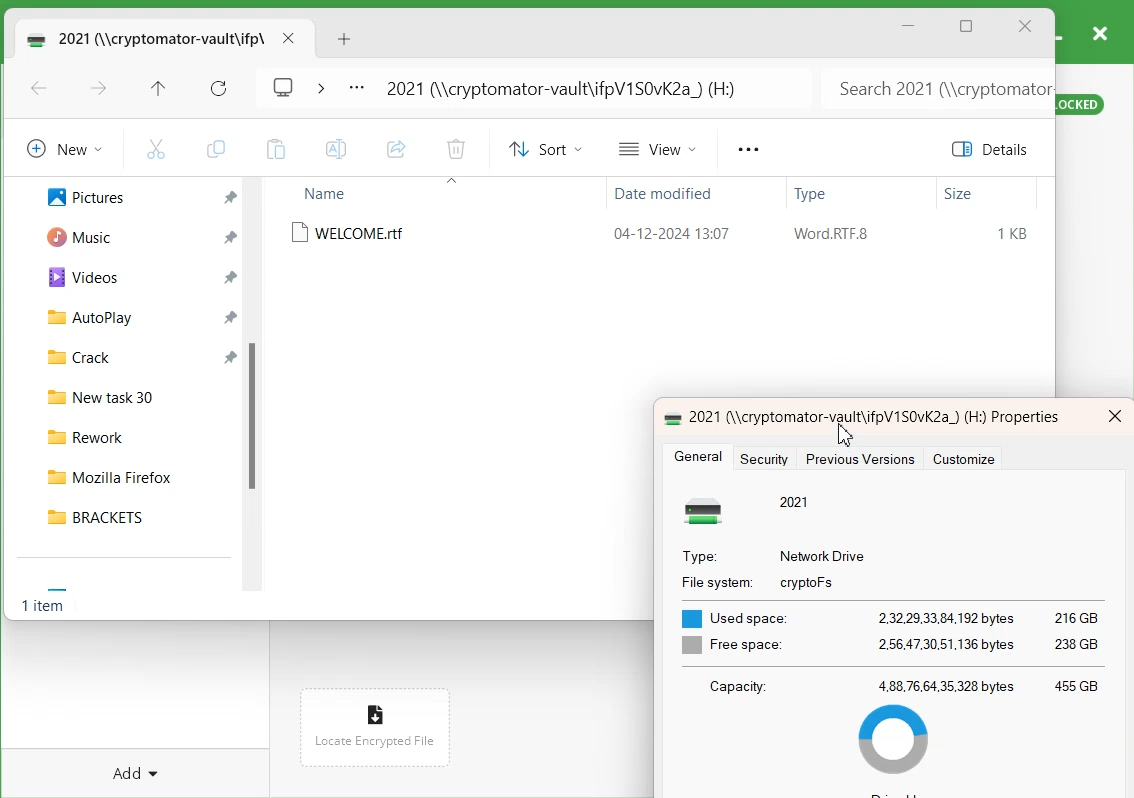 The height and width of the screenshot is (798, 1134). I want to click on Minimize, so click(909, 26).